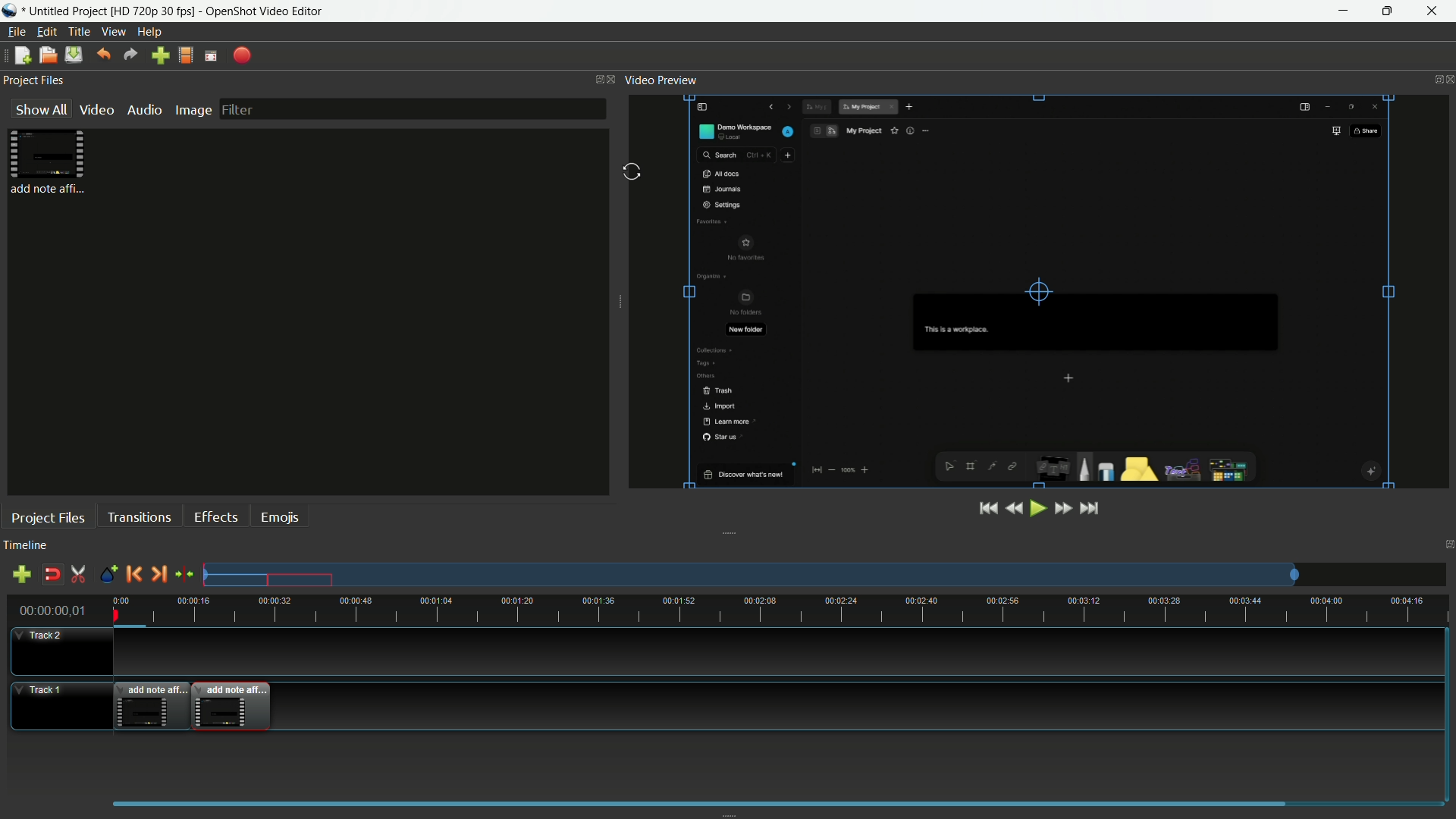  Describe the element at coordinates (1037, 290) in the screenshot. I see `preview video` at that location.